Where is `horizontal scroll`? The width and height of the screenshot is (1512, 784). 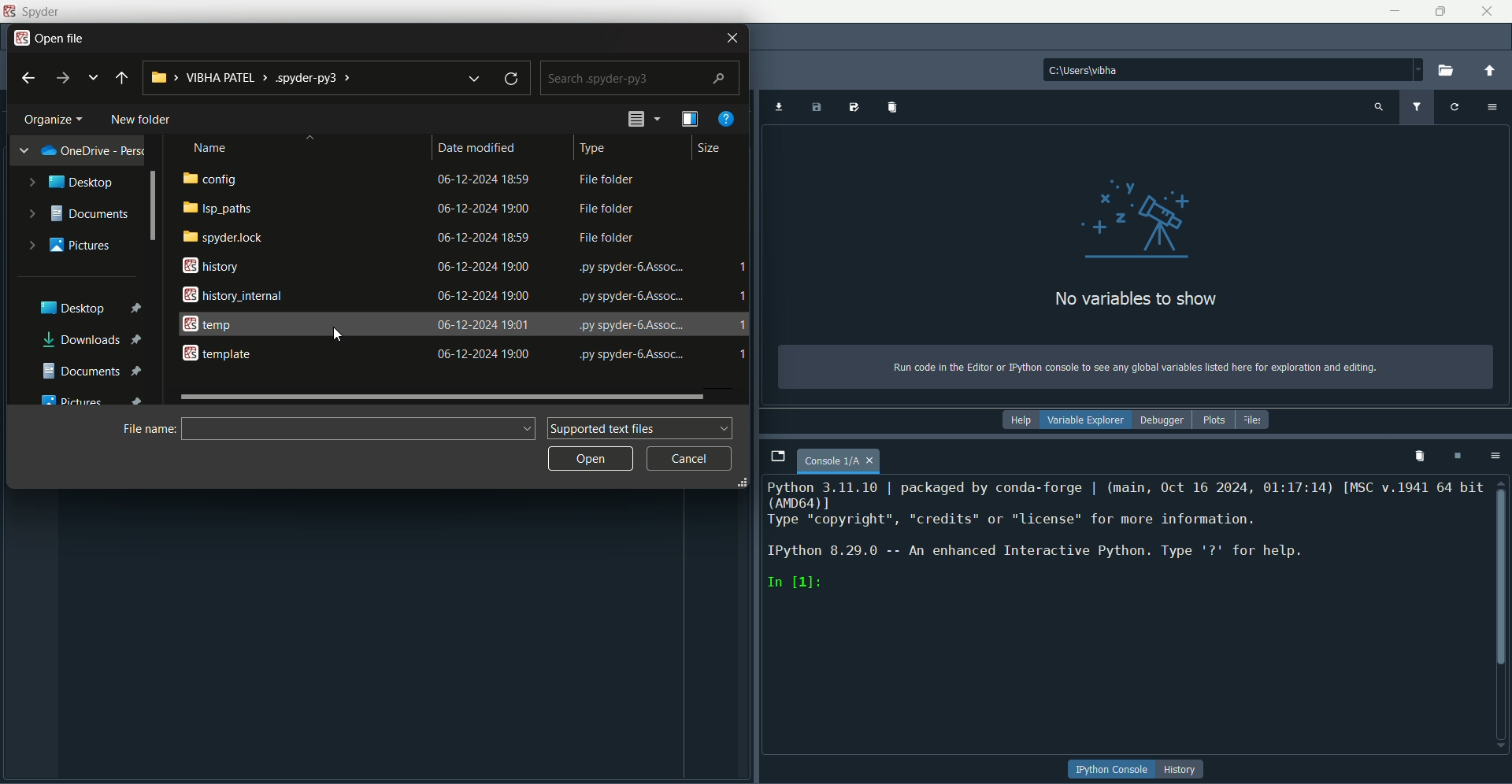
horizontal scroll is located at coordinates (442, 395).